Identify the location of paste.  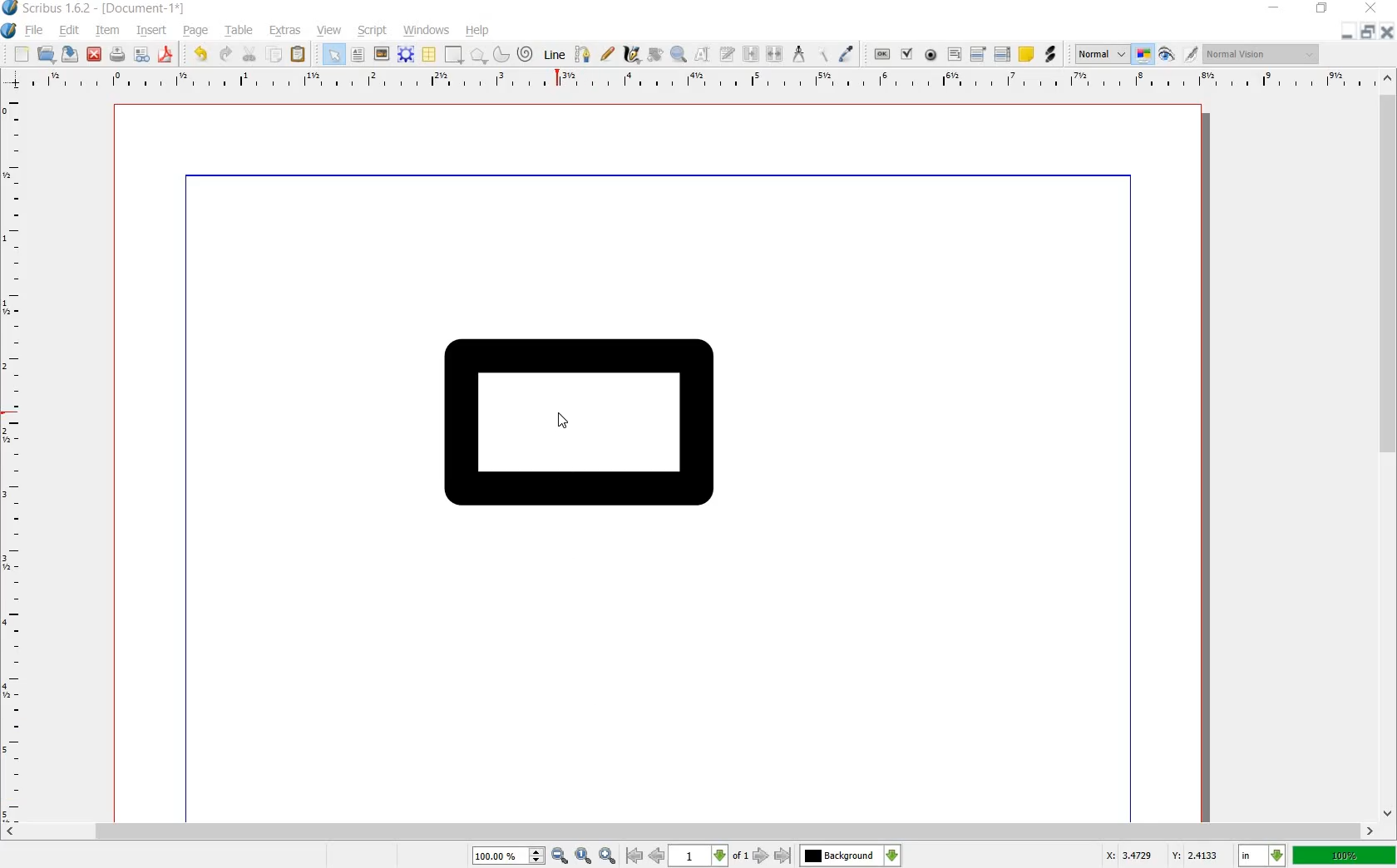
(299, 55).